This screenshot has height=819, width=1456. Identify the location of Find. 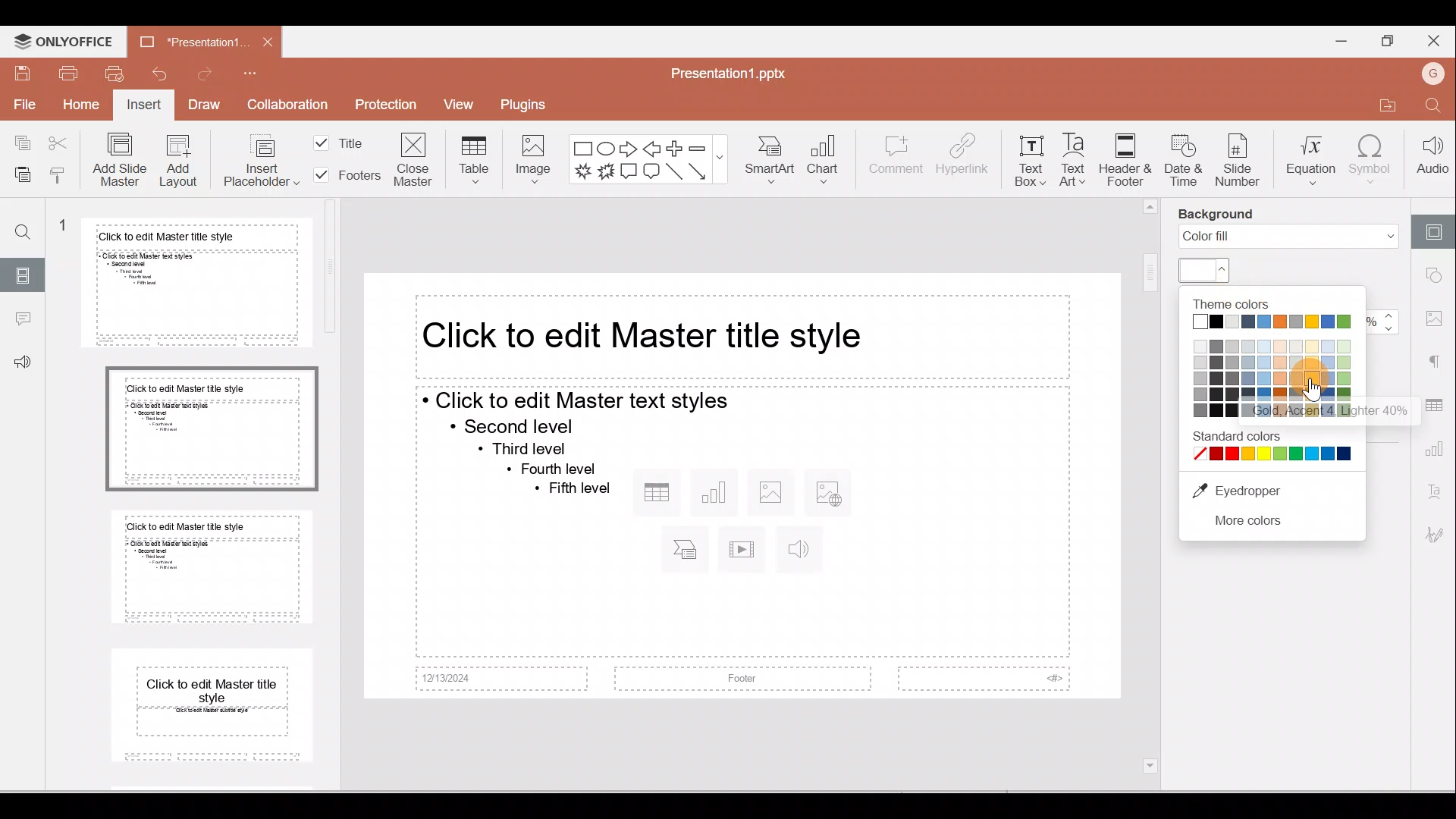
(1435, 108).